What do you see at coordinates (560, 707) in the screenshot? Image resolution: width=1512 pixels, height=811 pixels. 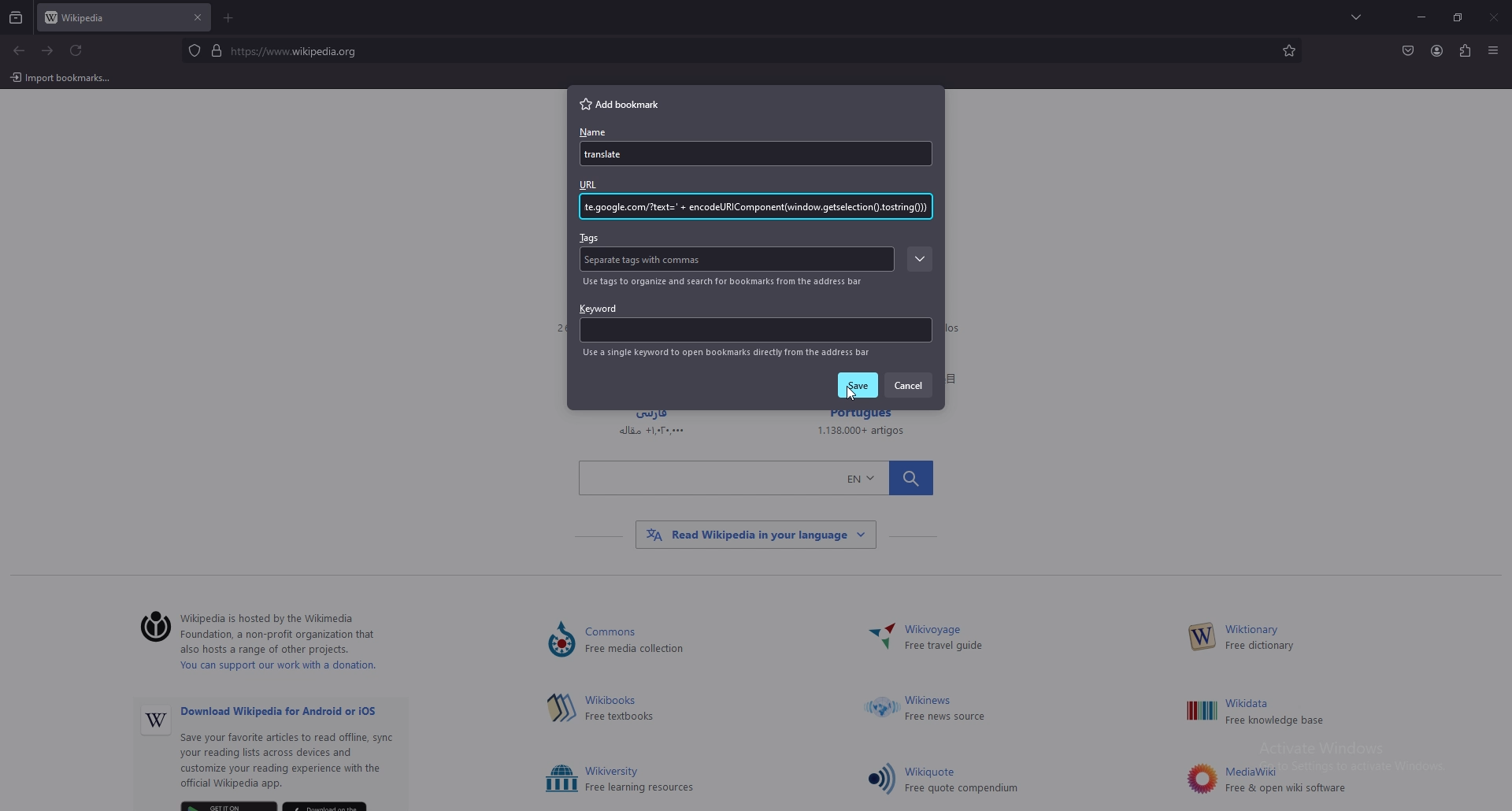 I see `` at bounding box center [560, 707].